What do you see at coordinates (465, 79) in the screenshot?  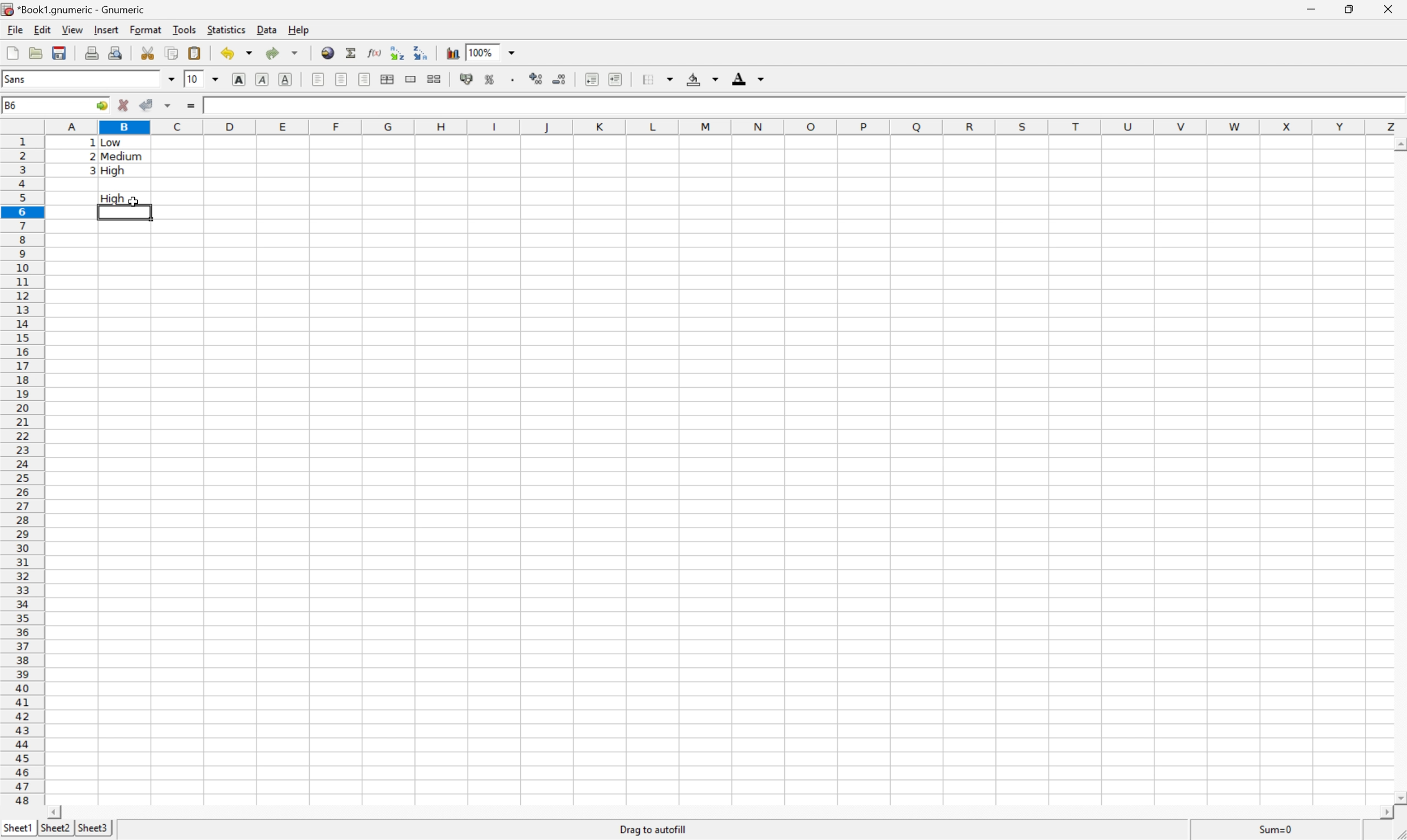 I see `Format the selection as accounting` at bounding box center [465, 79].